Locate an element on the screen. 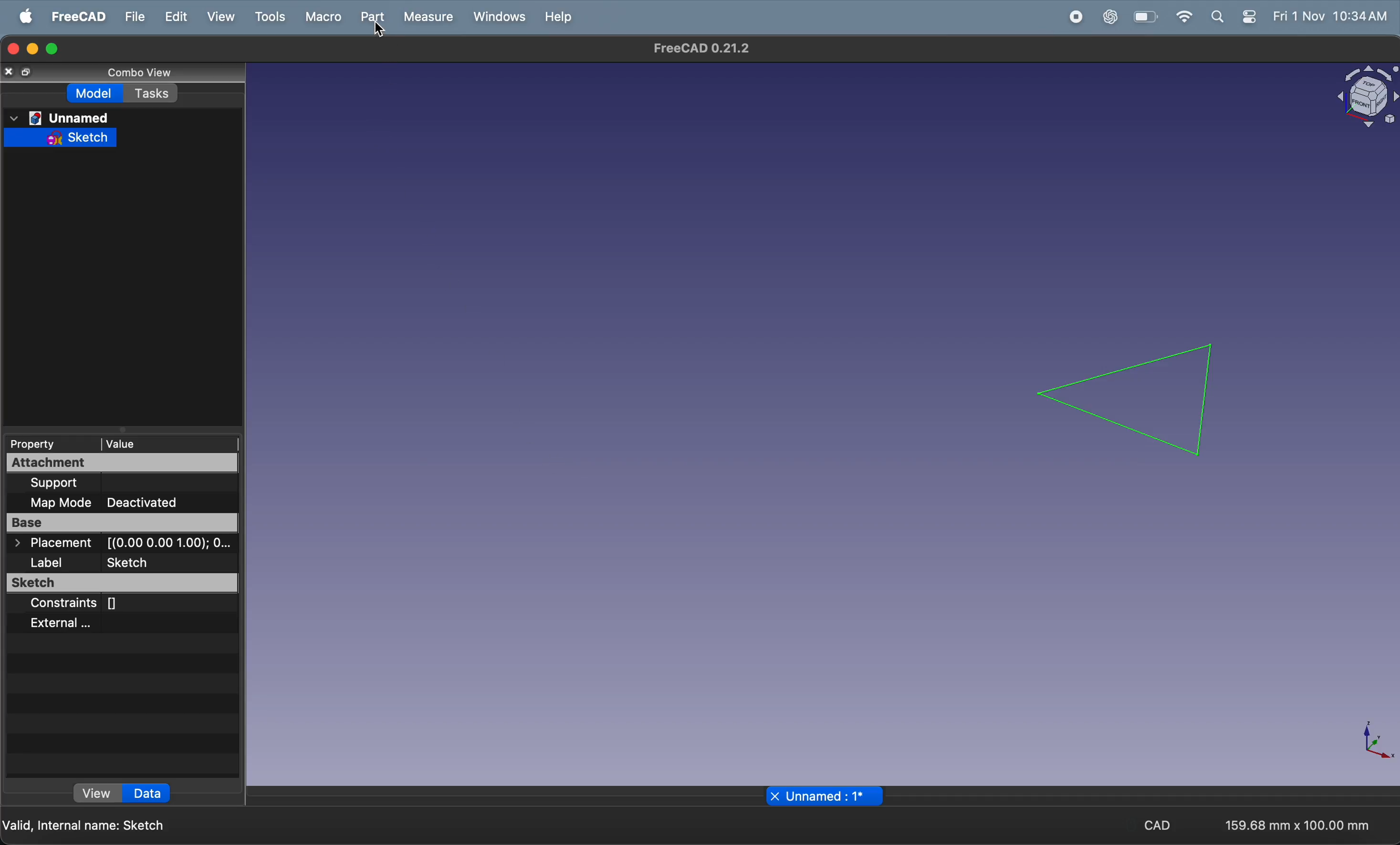 The height and width of the screenshot is (845, 1400). windows is located at coordinates (499, 18).